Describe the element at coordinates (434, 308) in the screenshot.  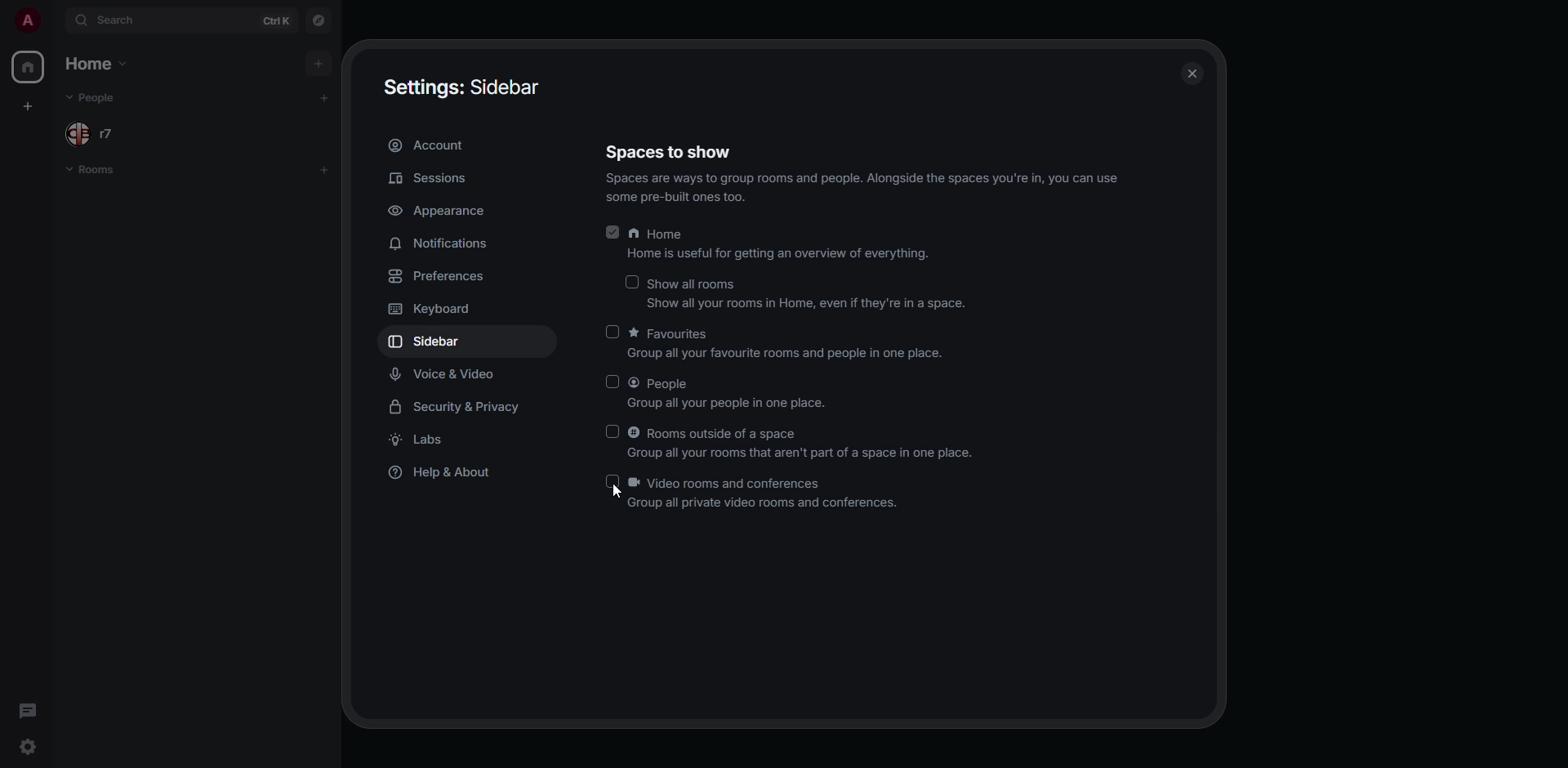
I see `keyboard` at that location.